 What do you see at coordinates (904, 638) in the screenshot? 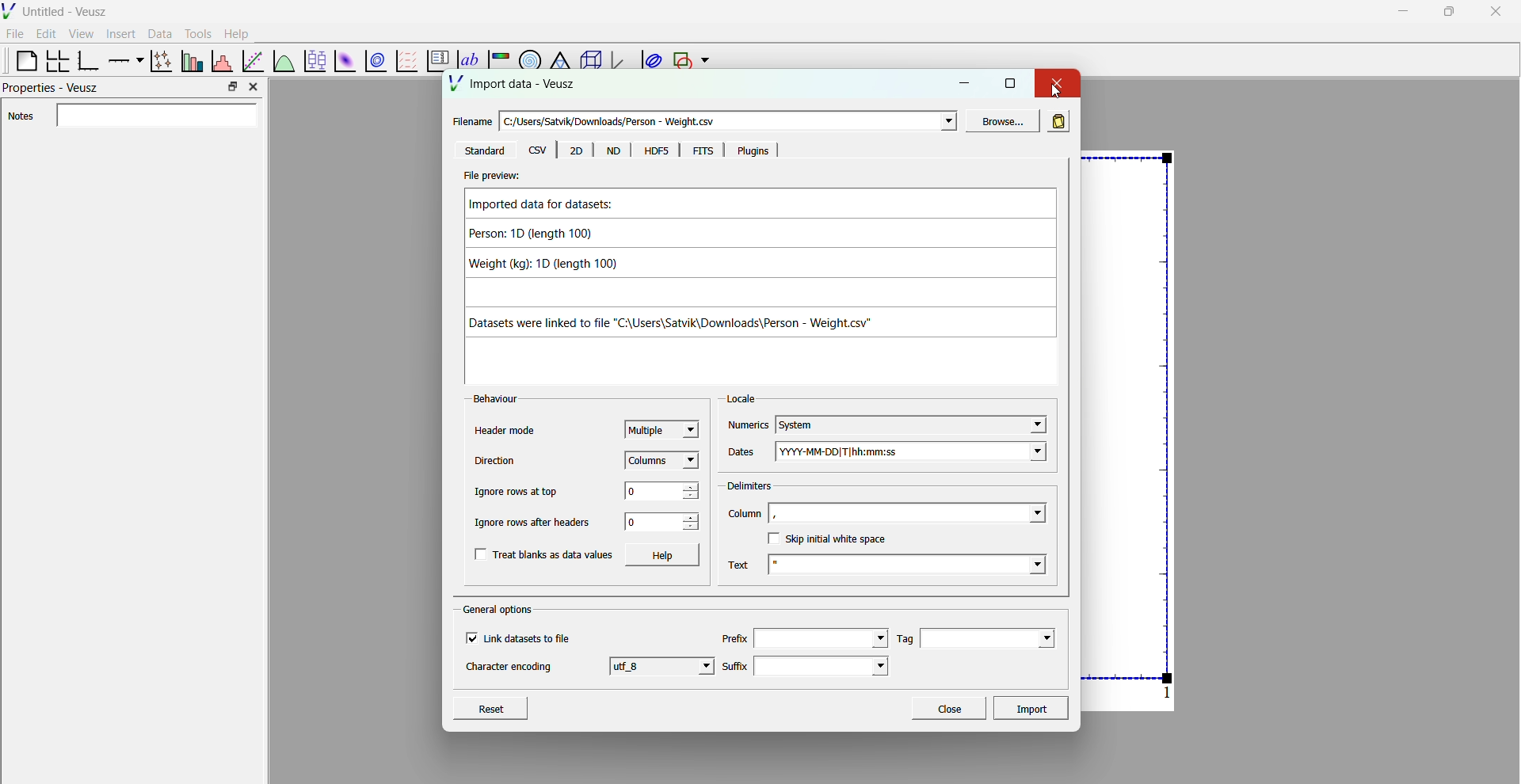
I see `Tag` at bounding box center [904, 638].